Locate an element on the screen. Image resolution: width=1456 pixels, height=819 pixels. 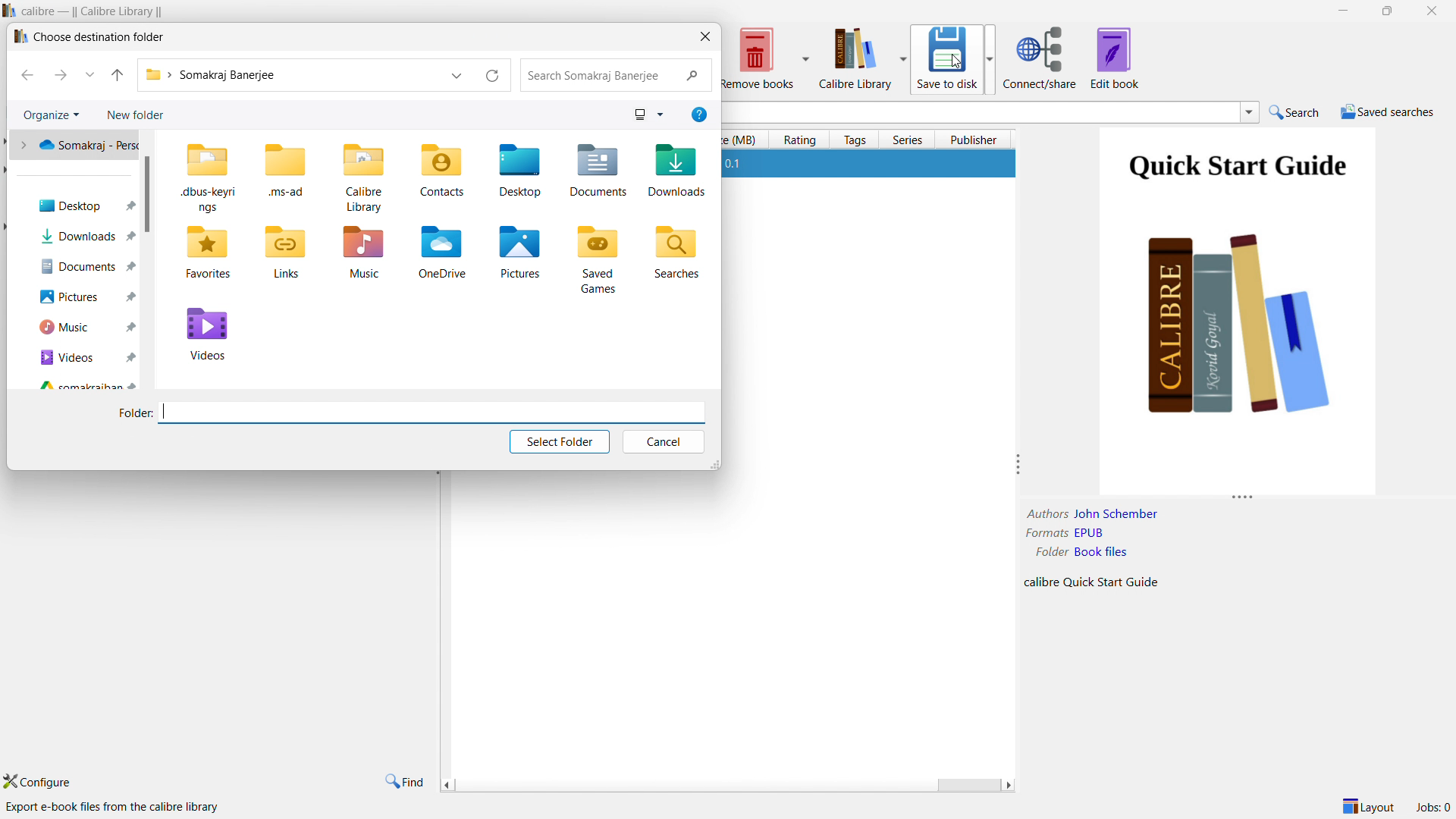
rating is located at coordinates (799, 138).